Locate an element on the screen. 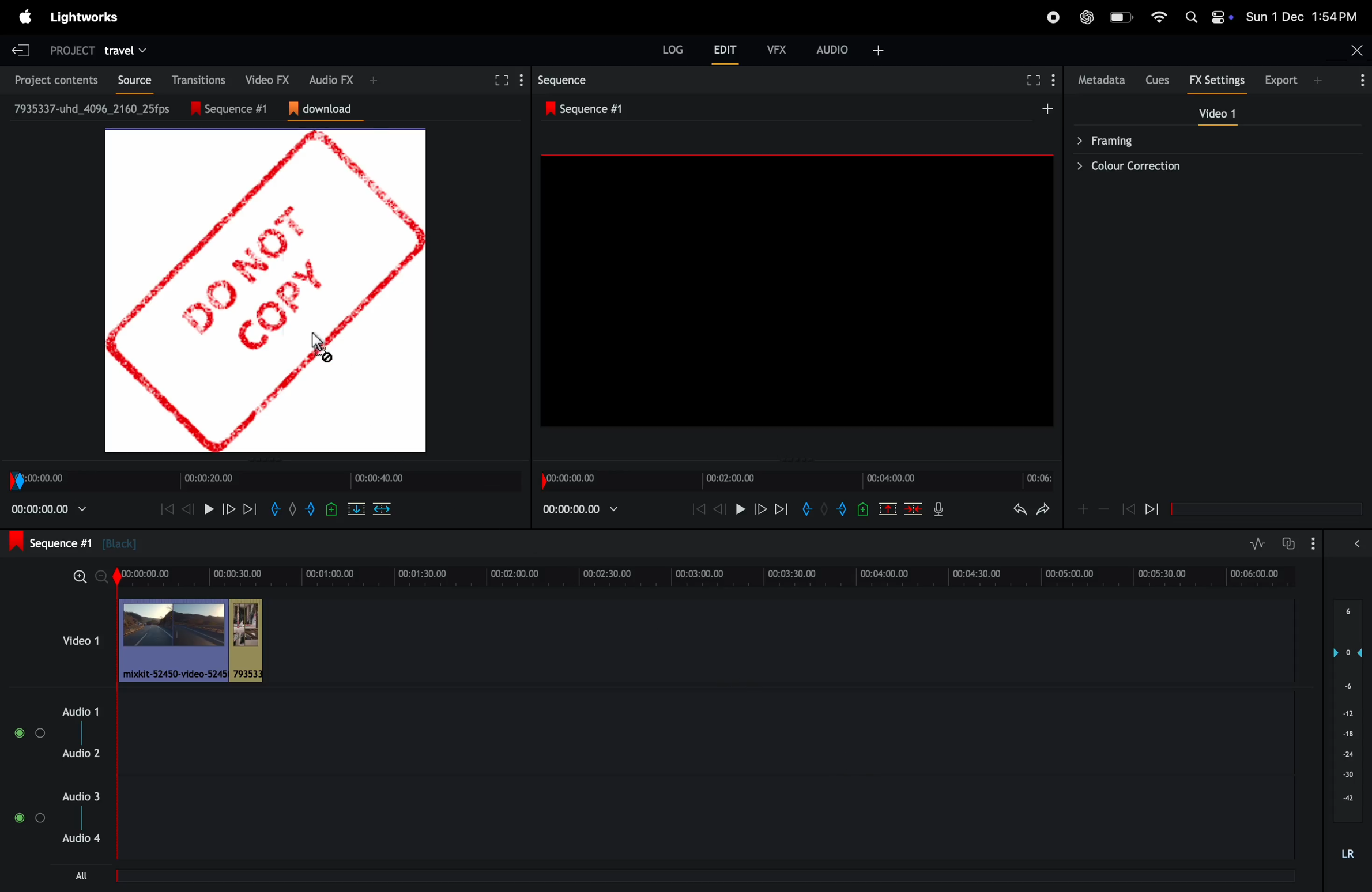 Image resolution: width=1372 pixels, height=892 pixels. Add is located at coordinates (824, 508).